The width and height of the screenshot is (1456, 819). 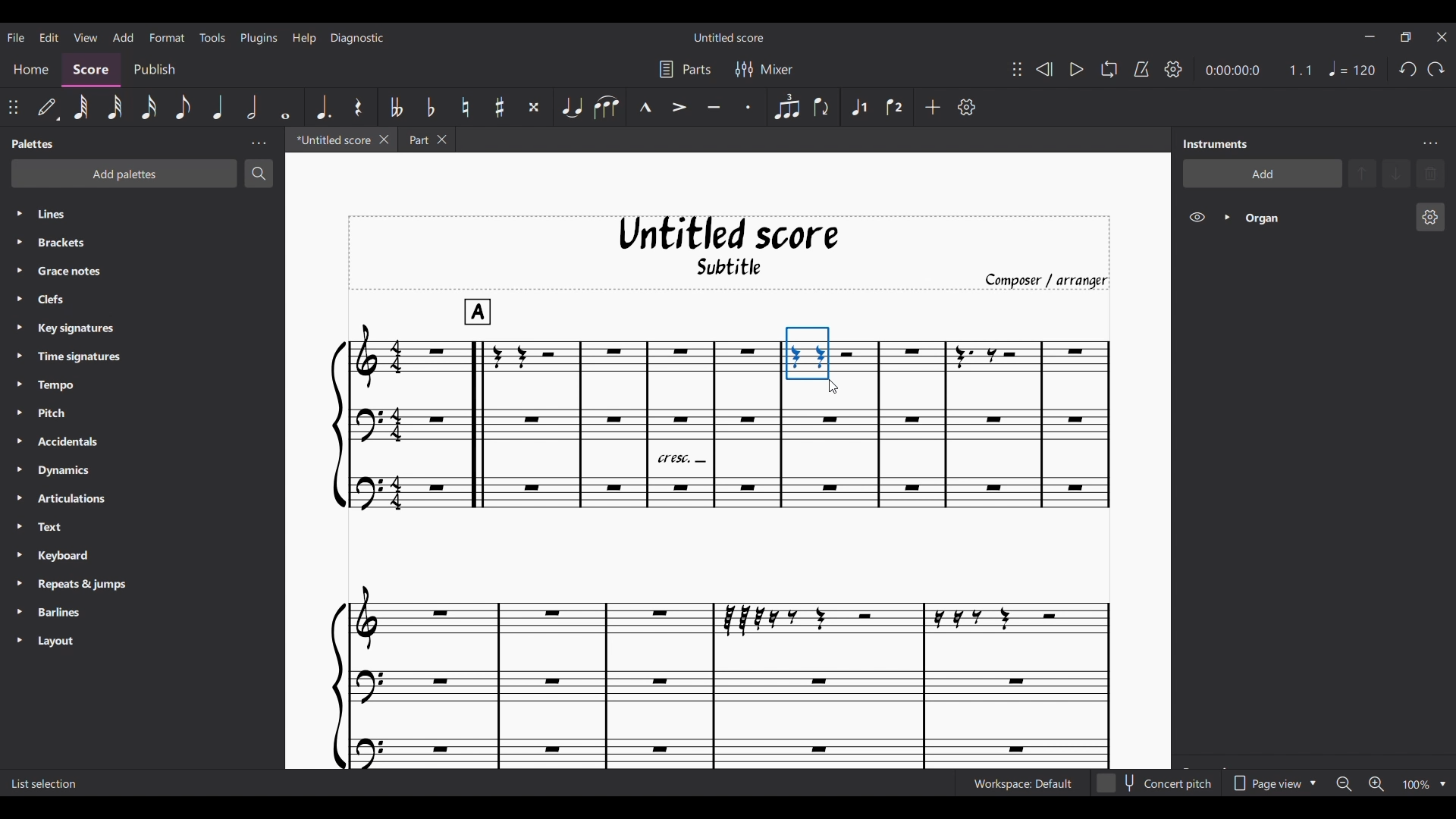 I want to click on Instrument panel settings, so click(x=1430, y=144).